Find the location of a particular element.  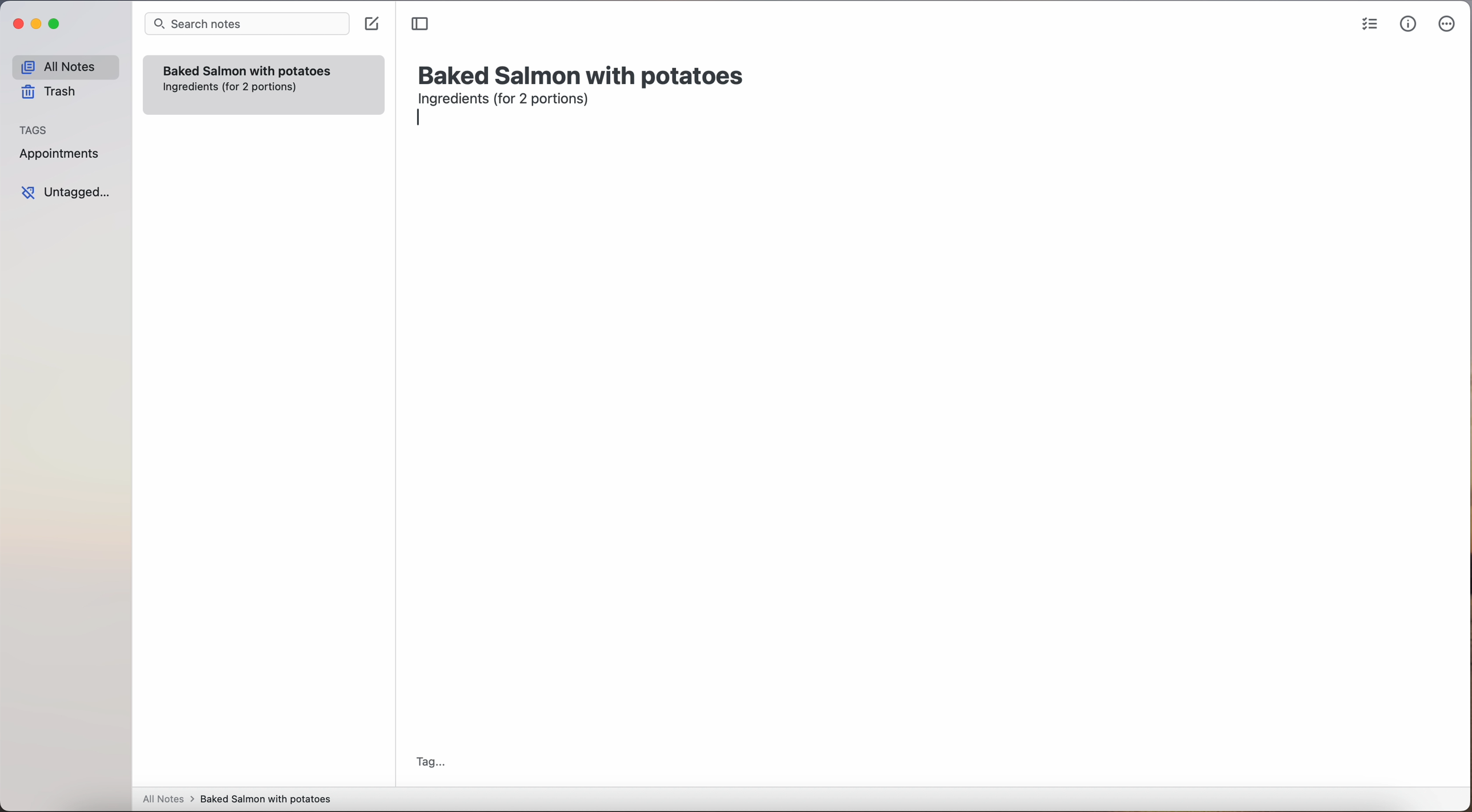

title is located at coordinates (583, 74).